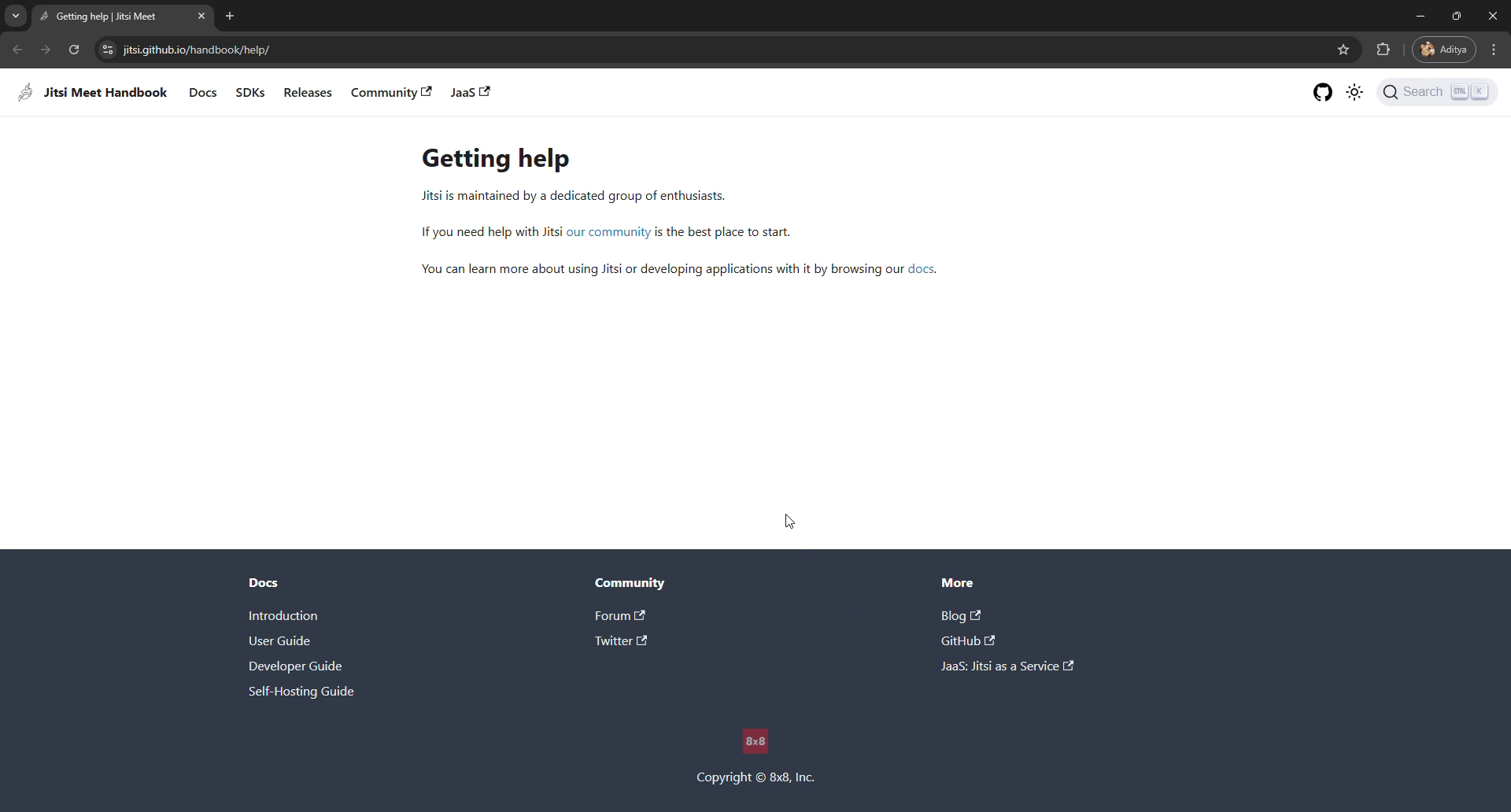 Image resolution: width=1511 pixels, height=812 pixels. What do you see at coordinates (105, 17) in the screenshot?
I see `getting help` at bounding box center [105, 17].